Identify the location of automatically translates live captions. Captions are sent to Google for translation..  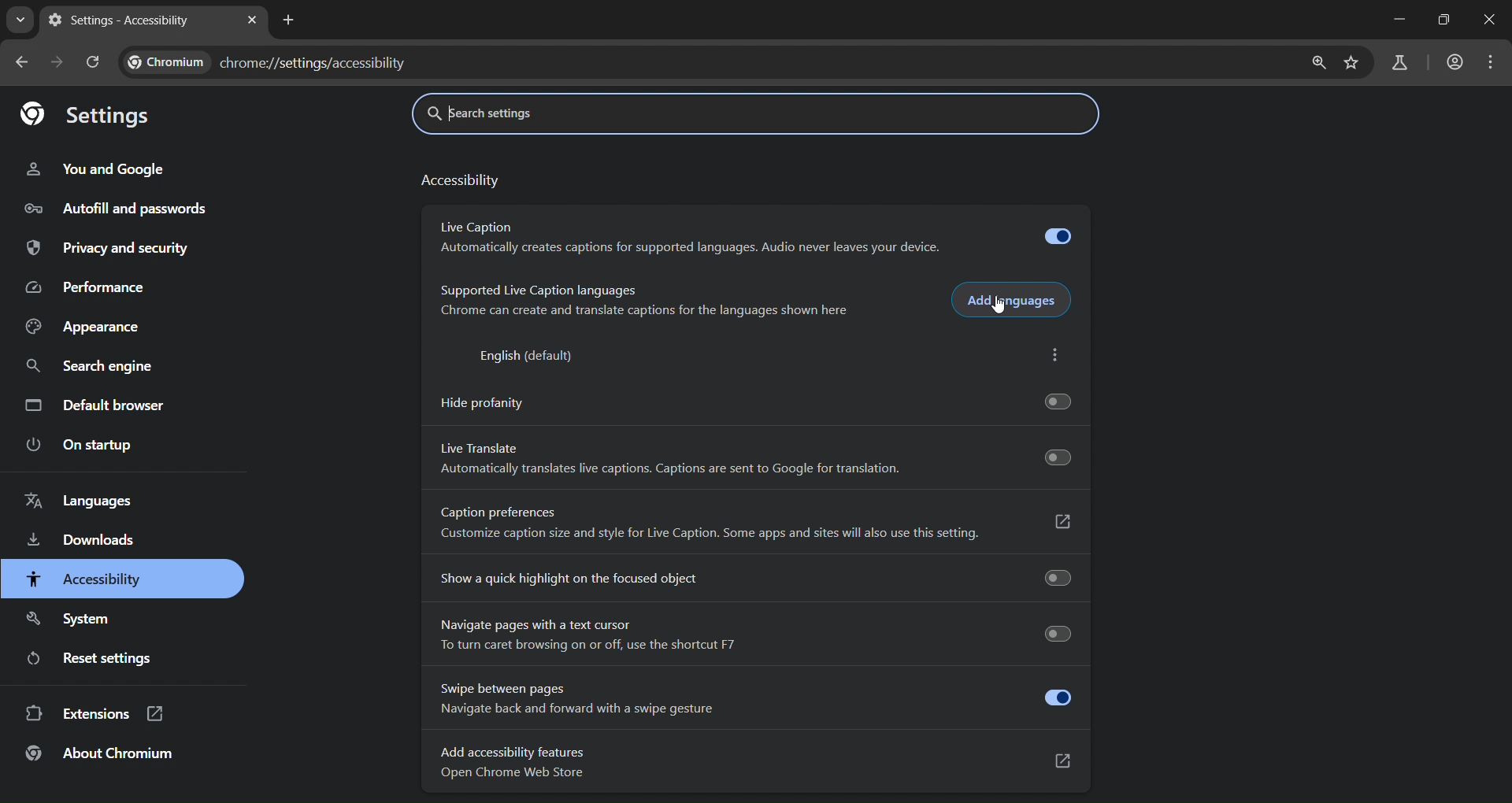
(676, 470).